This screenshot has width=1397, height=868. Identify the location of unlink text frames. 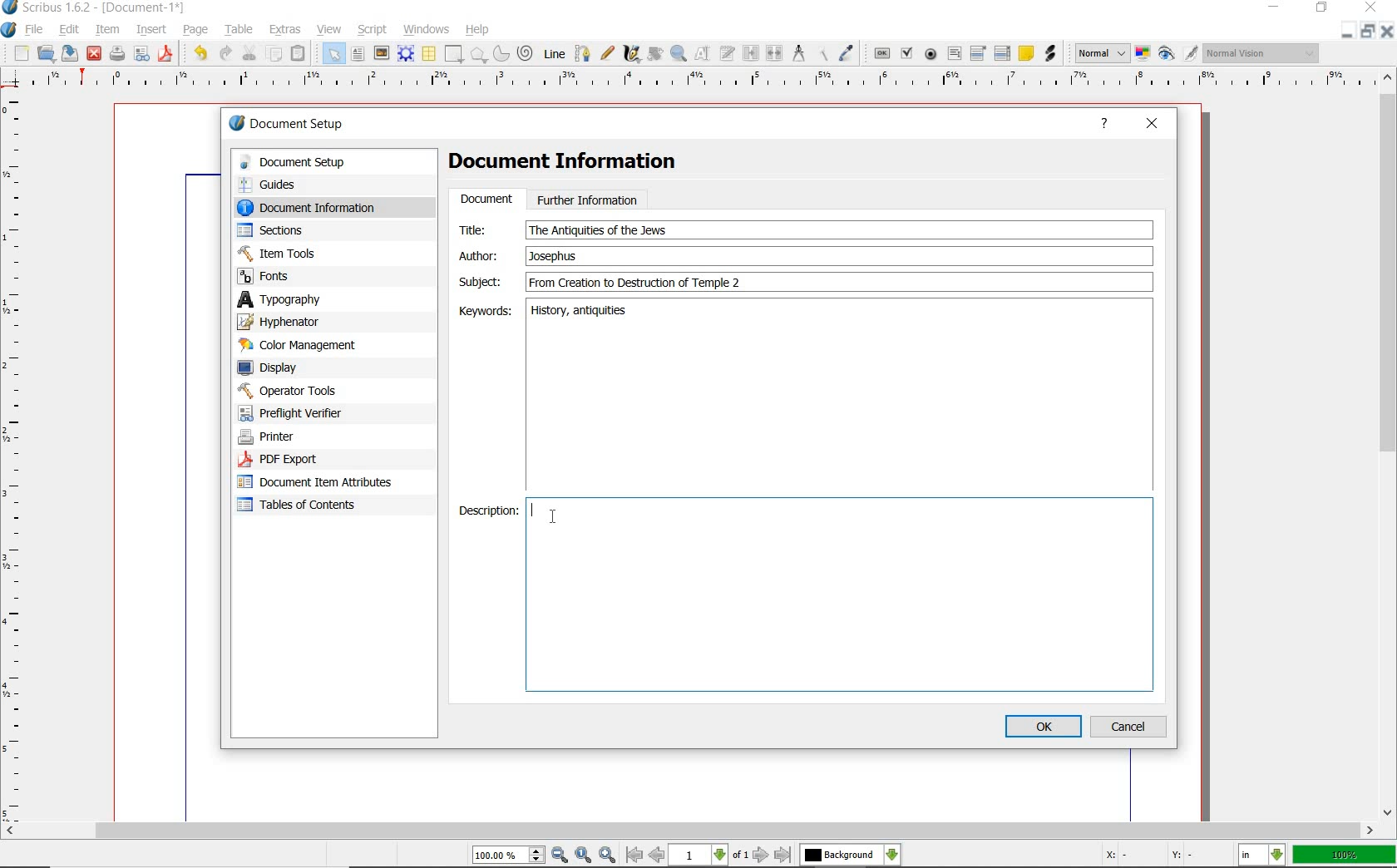
(775, 52).